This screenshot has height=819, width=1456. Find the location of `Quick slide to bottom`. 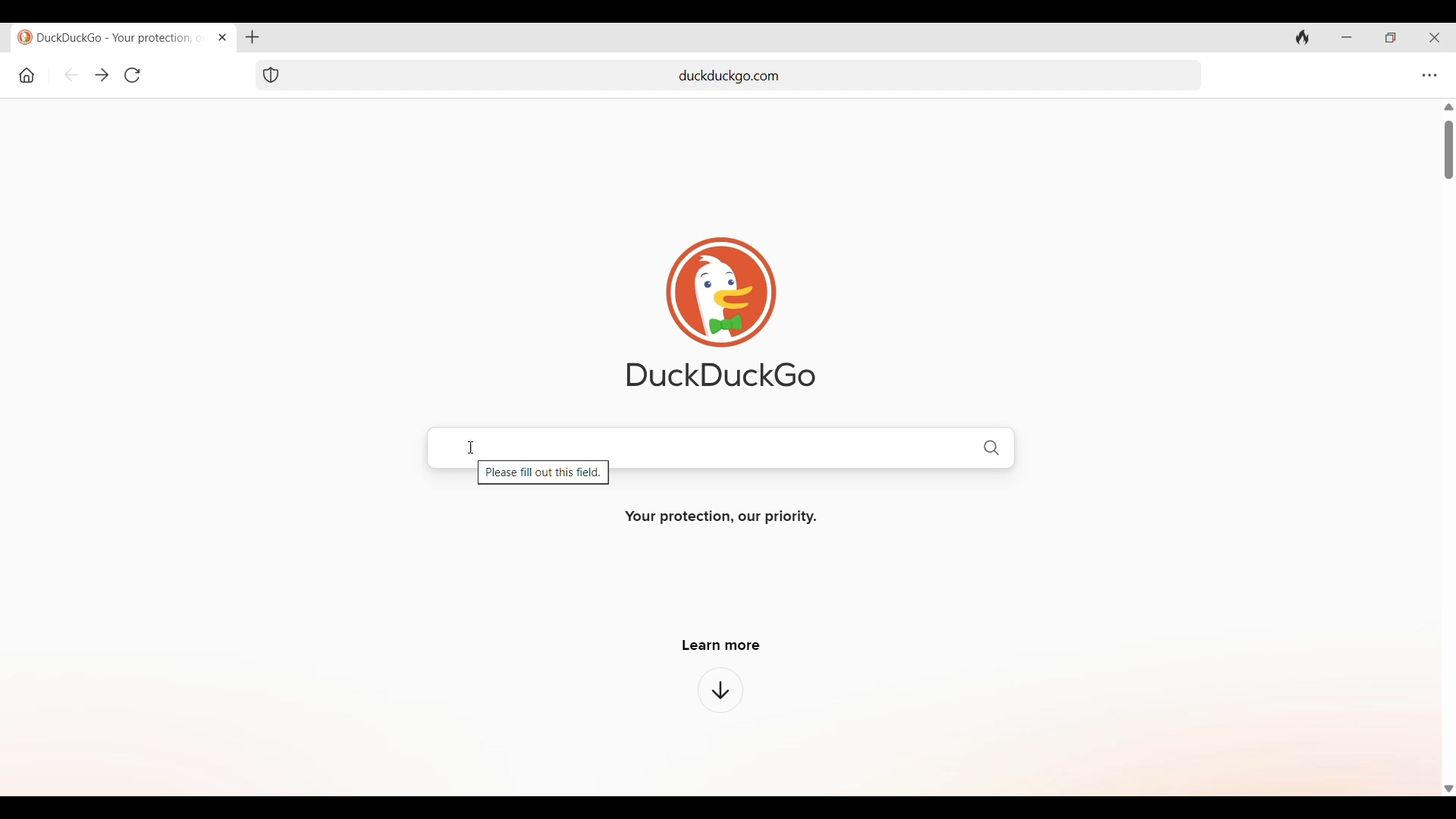

Quick slide to bottom is located at coordinates (1448, 789).